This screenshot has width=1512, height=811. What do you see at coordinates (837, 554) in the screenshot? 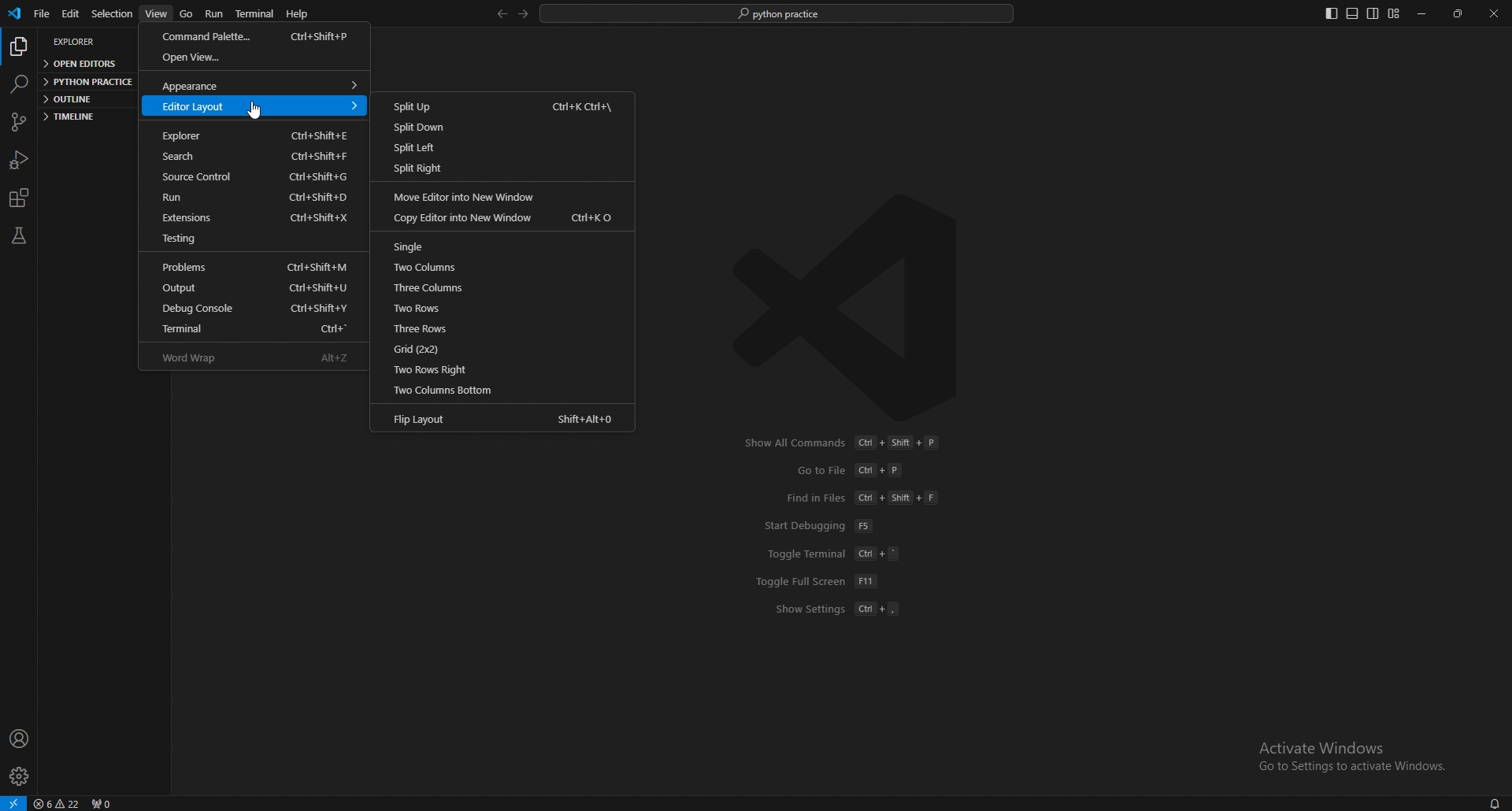
I see `toggle terminal ctrl+'` at bounding box center [837, 554].